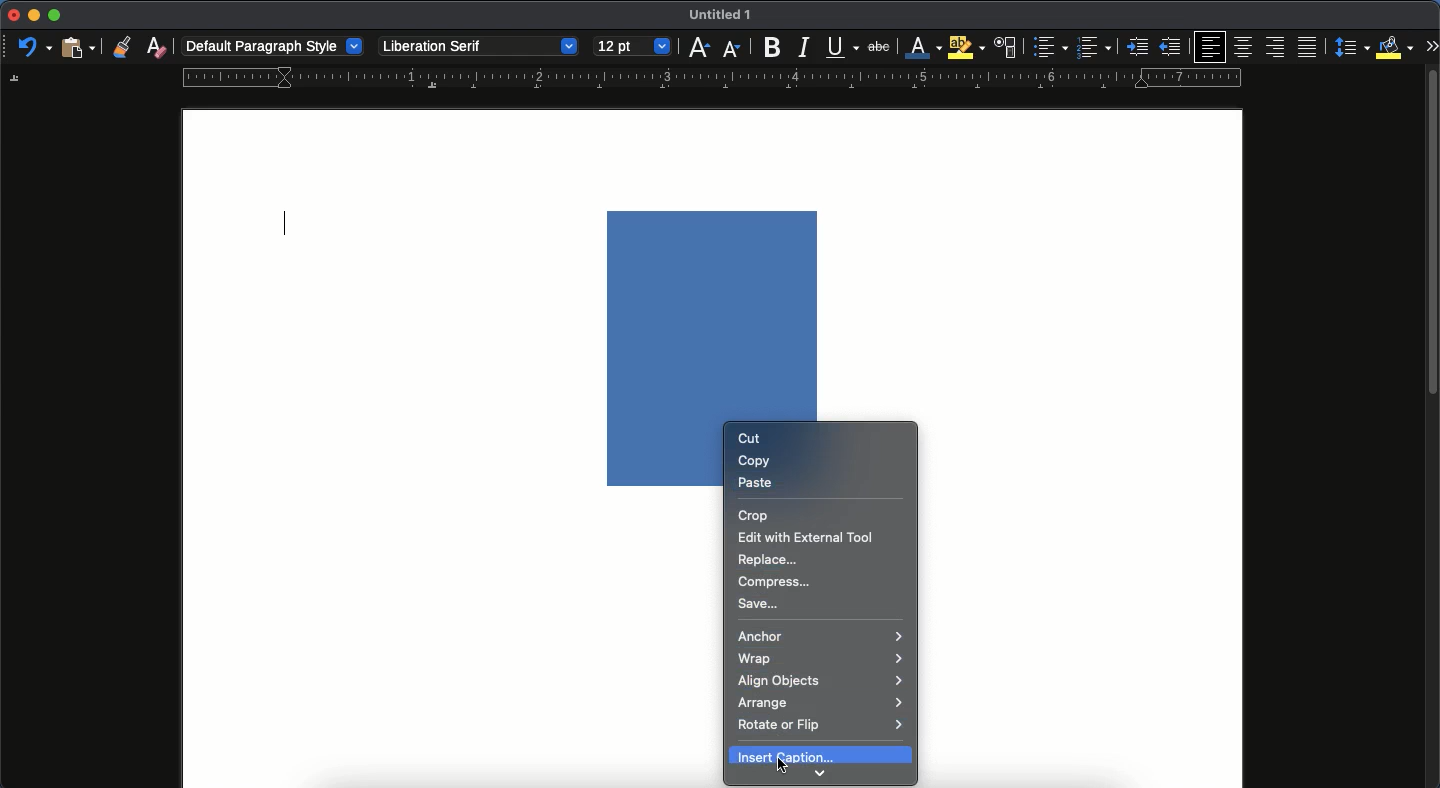 The height and width of the screenshot is (788, 1440). Describe the element at coordinates (757, 481) in the screenshot. I see `paste` at that location.